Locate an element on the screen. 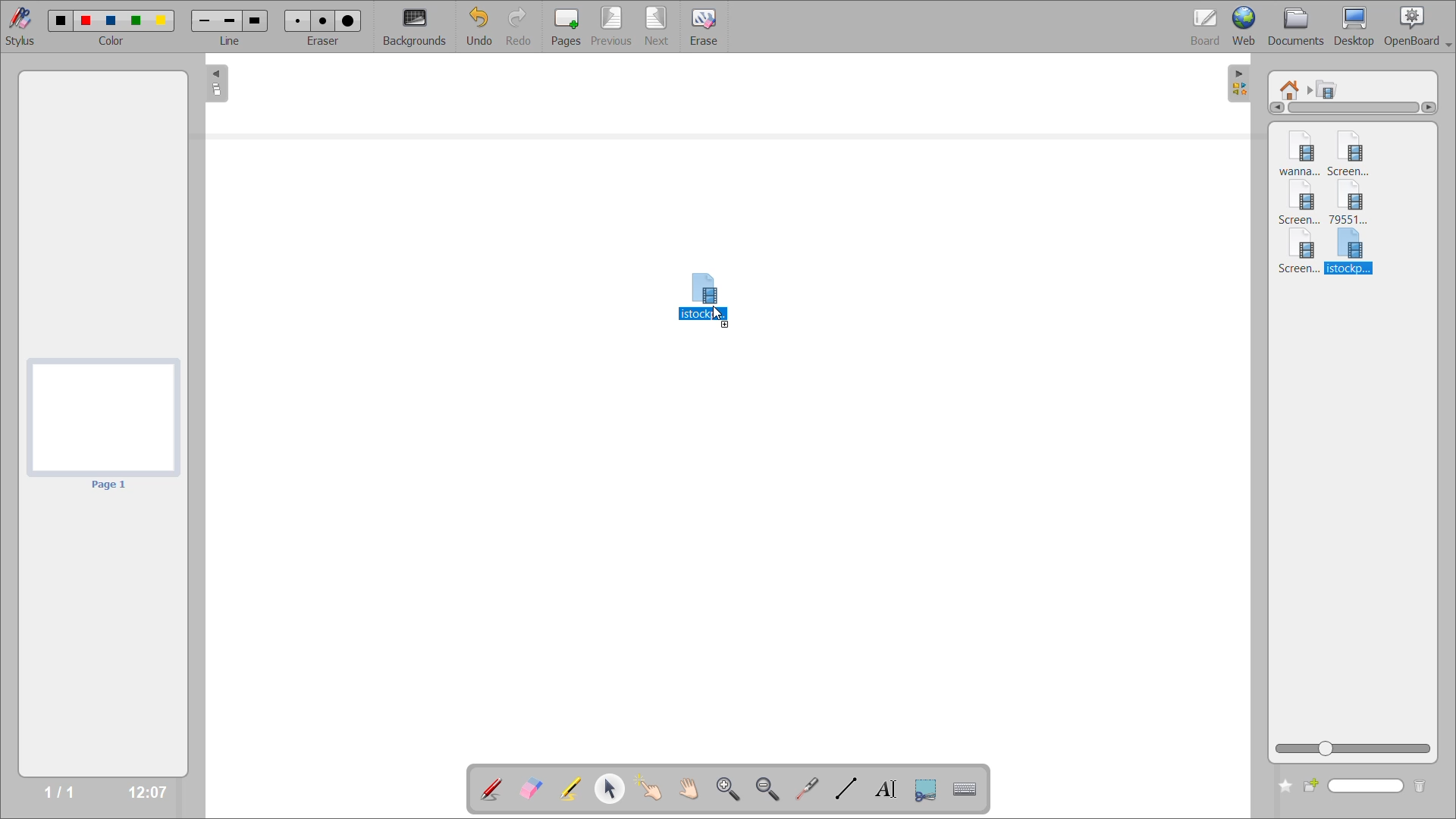  cursor is located at coordinates (721, 318).